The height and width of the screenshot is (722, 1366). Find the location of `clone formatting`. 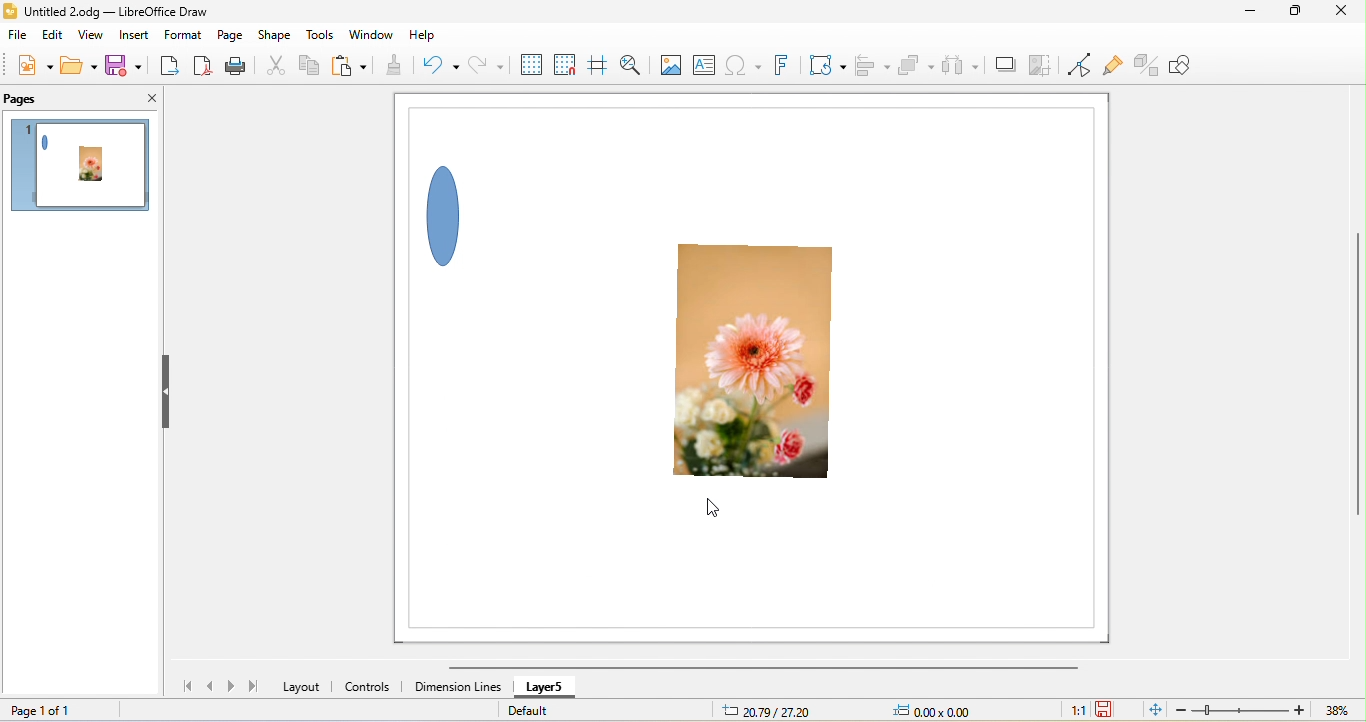

clone formatting is located at coordinates (391, 66).